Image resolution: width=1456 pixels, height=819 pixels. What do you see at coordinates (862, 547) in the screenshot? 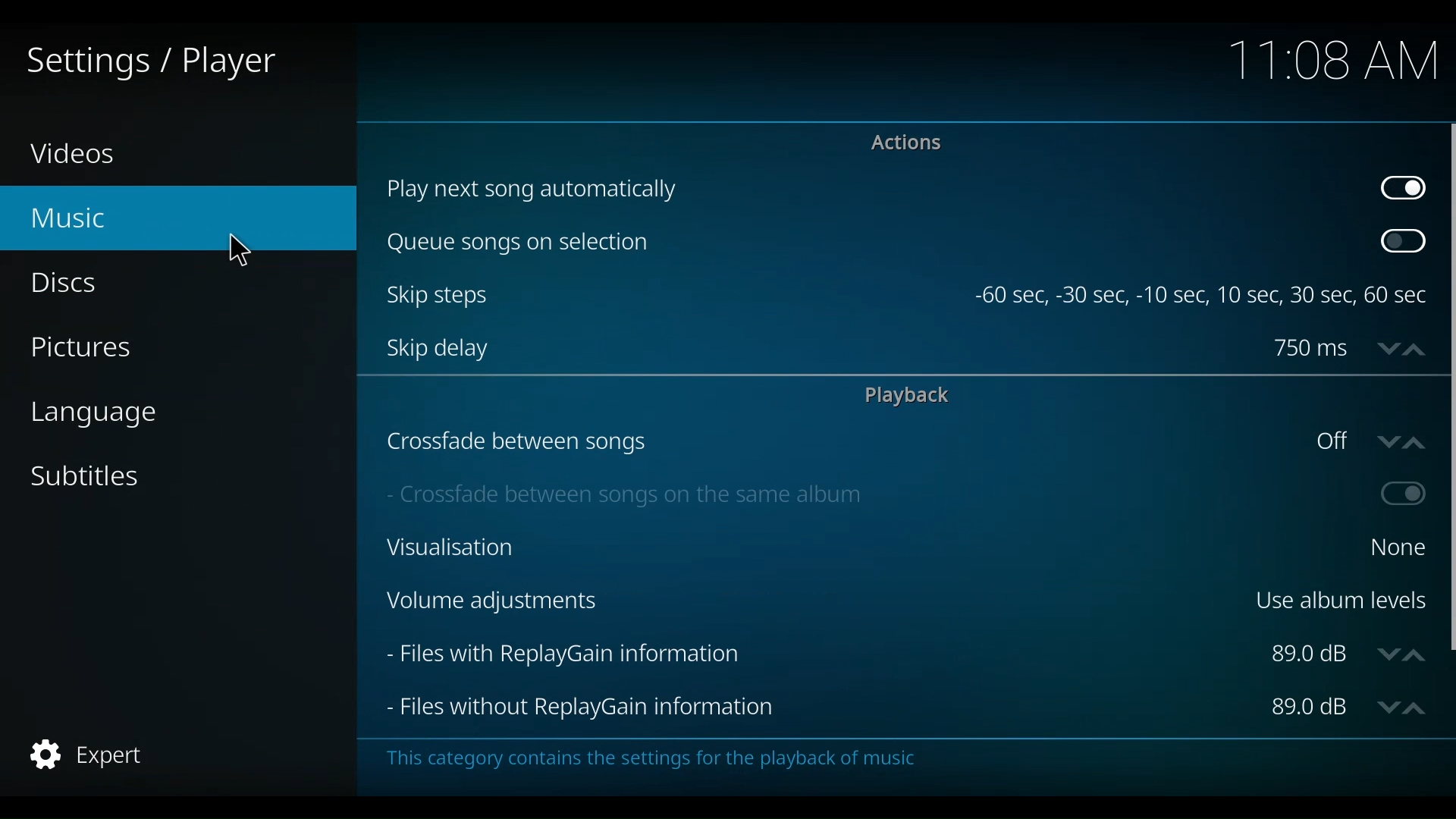
I see `Visualisation` at bounding box center [862, 547].